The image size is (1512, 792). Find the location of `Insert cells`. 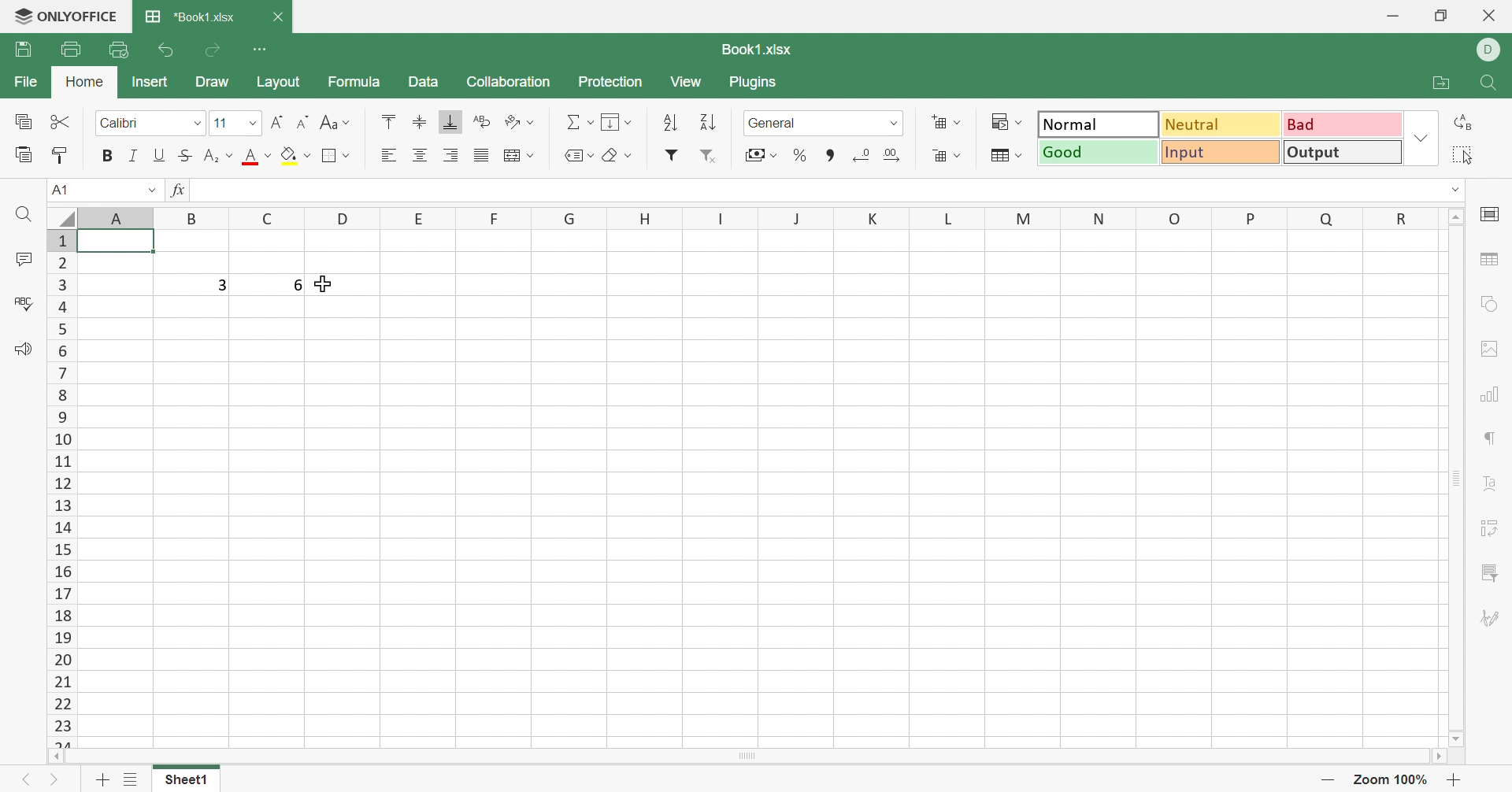

Insert cells is located at coordinates (949, 121).